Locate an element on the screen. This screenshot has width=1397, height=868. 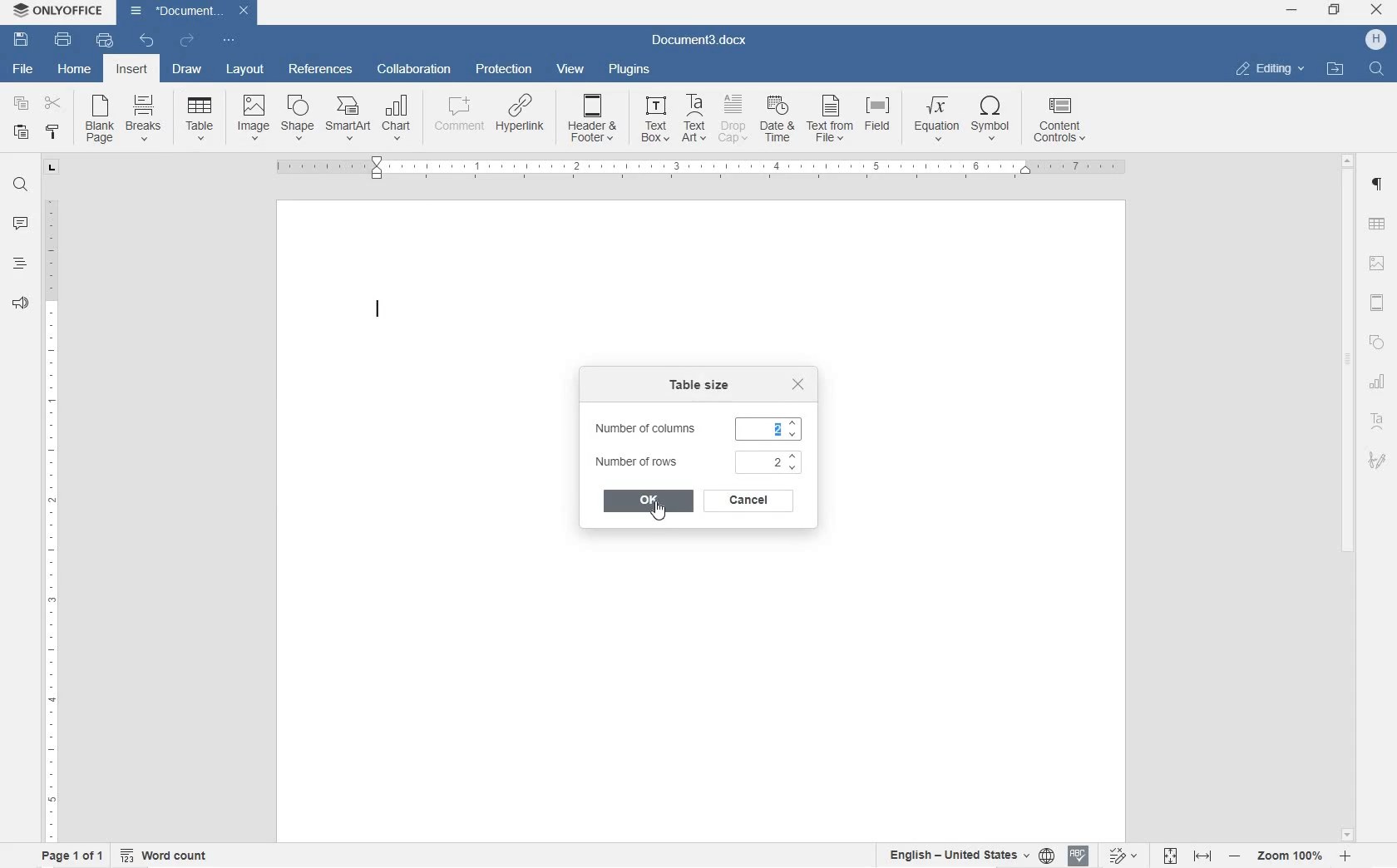
PASTE is located at coordinates (25, 133).